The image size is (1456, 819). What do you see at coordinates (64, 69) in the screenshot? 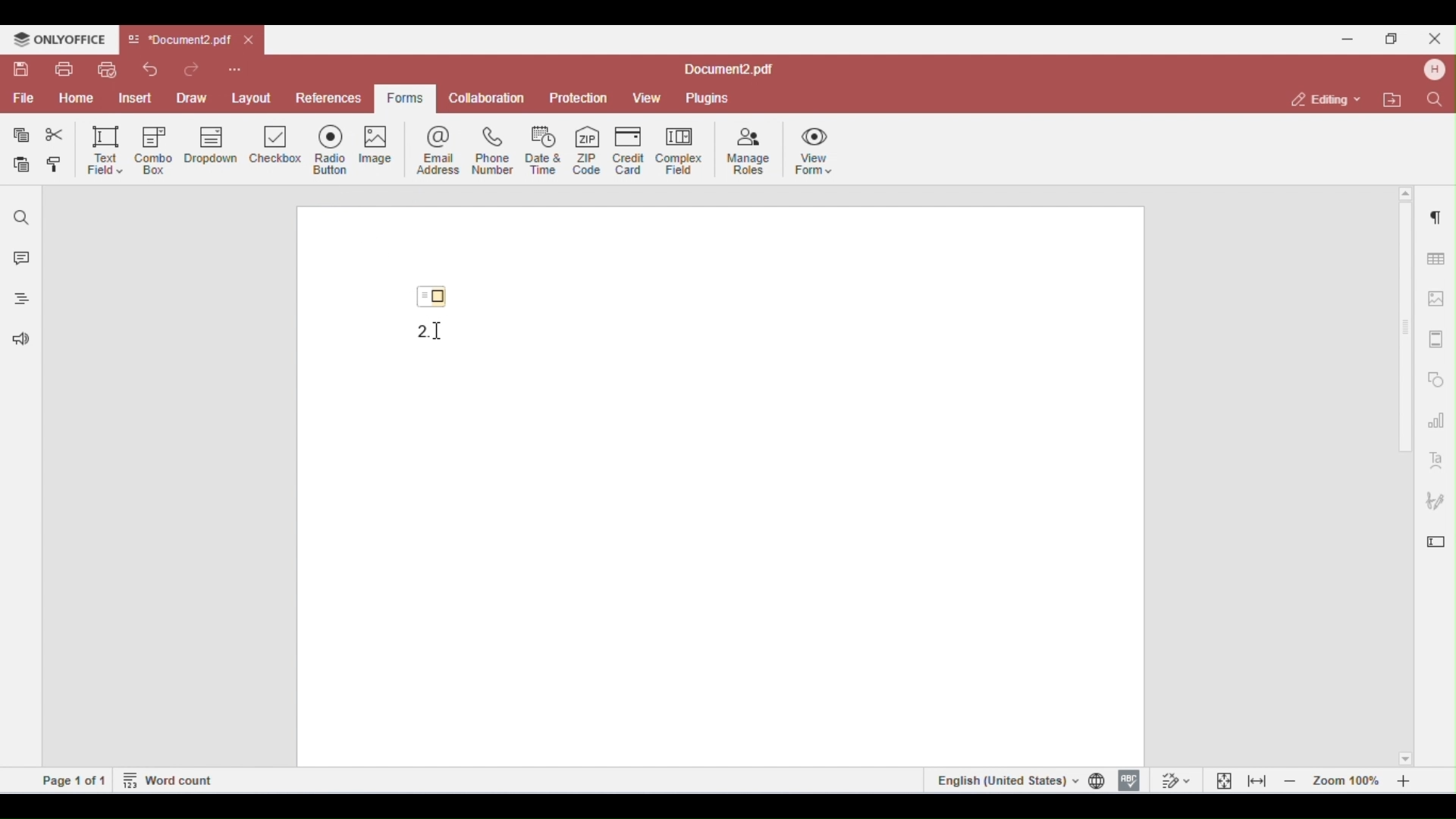
I see `print` at bounding box center [64, 69].